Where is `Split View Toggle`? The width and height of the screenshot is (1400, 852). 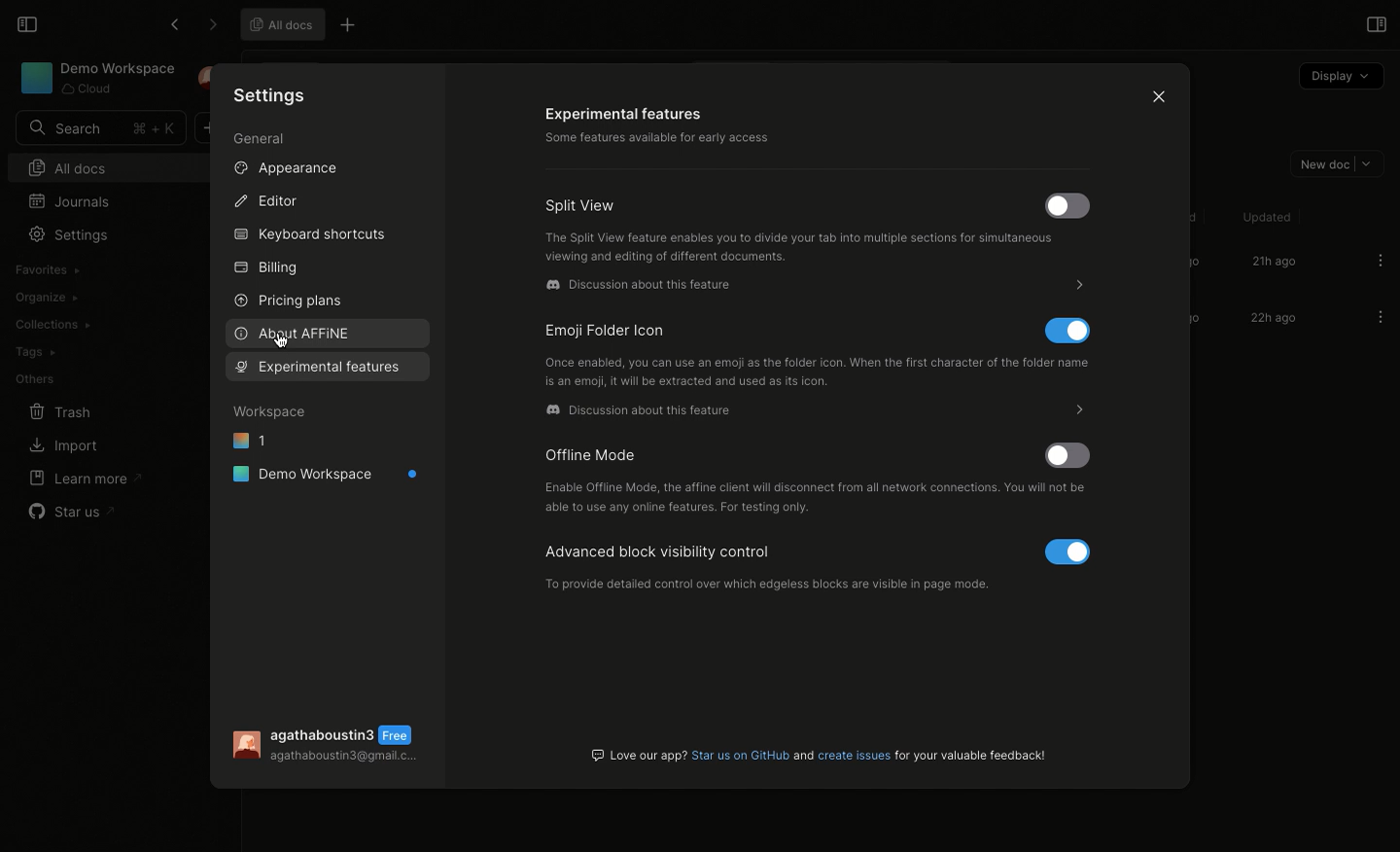 Split View Toggle is located at coordinates (1067, 207).